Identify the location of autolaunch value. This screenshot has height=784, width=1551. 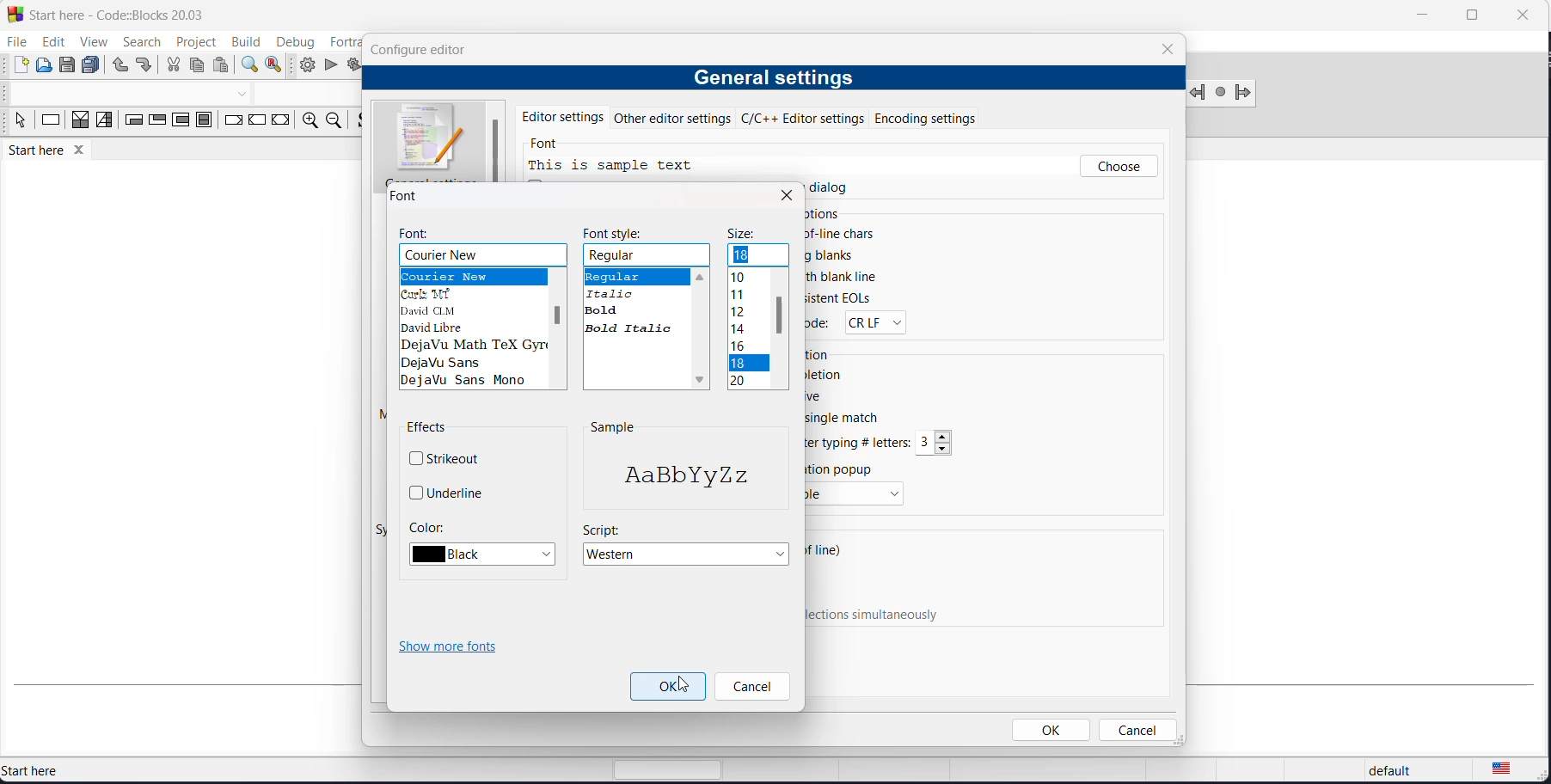
(926, 444).